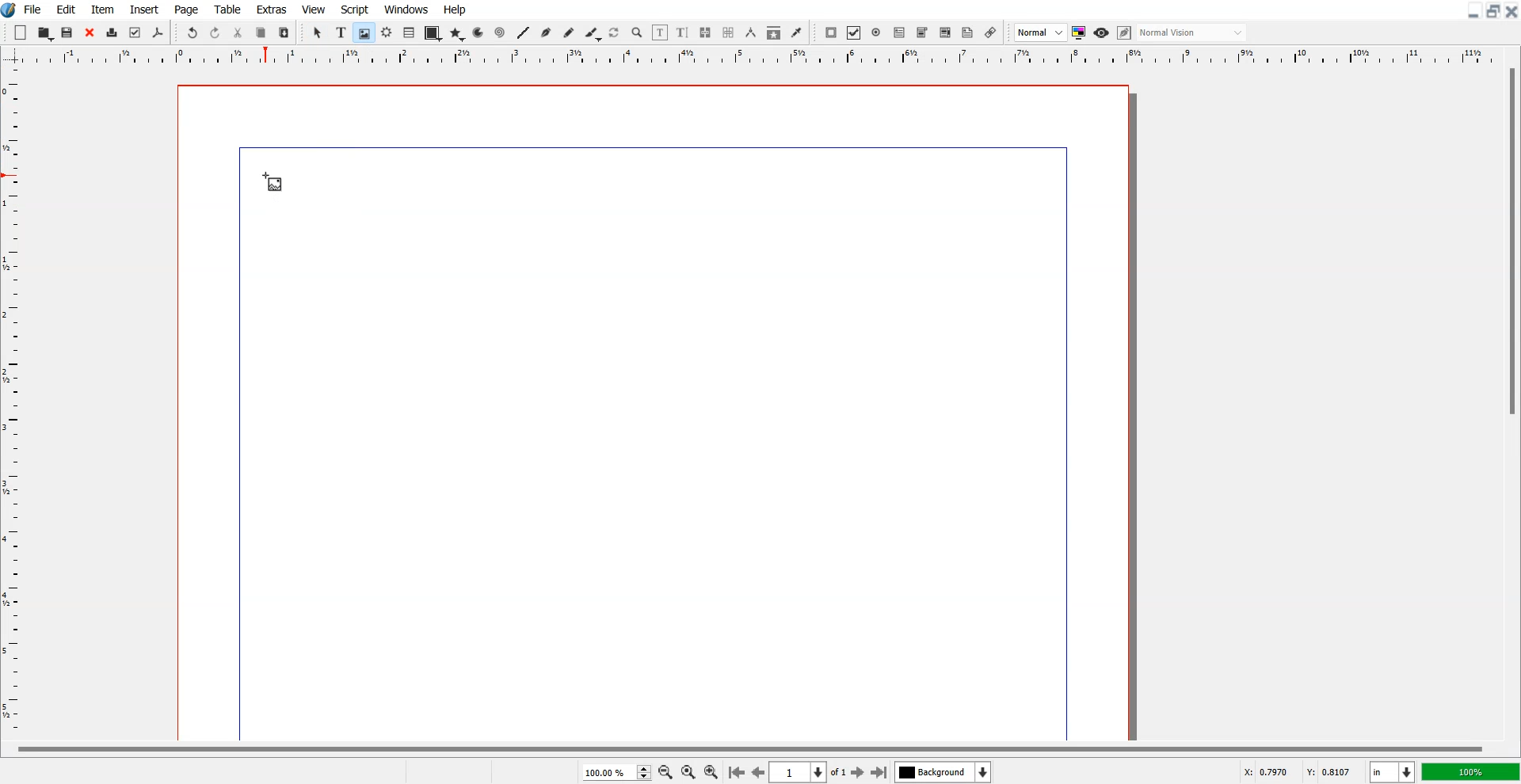 The height and width of the screenshot is (784, 1521). Describe the element at coordinates (991, 32) in the screenshot. I see `Link Annotation` at that location.